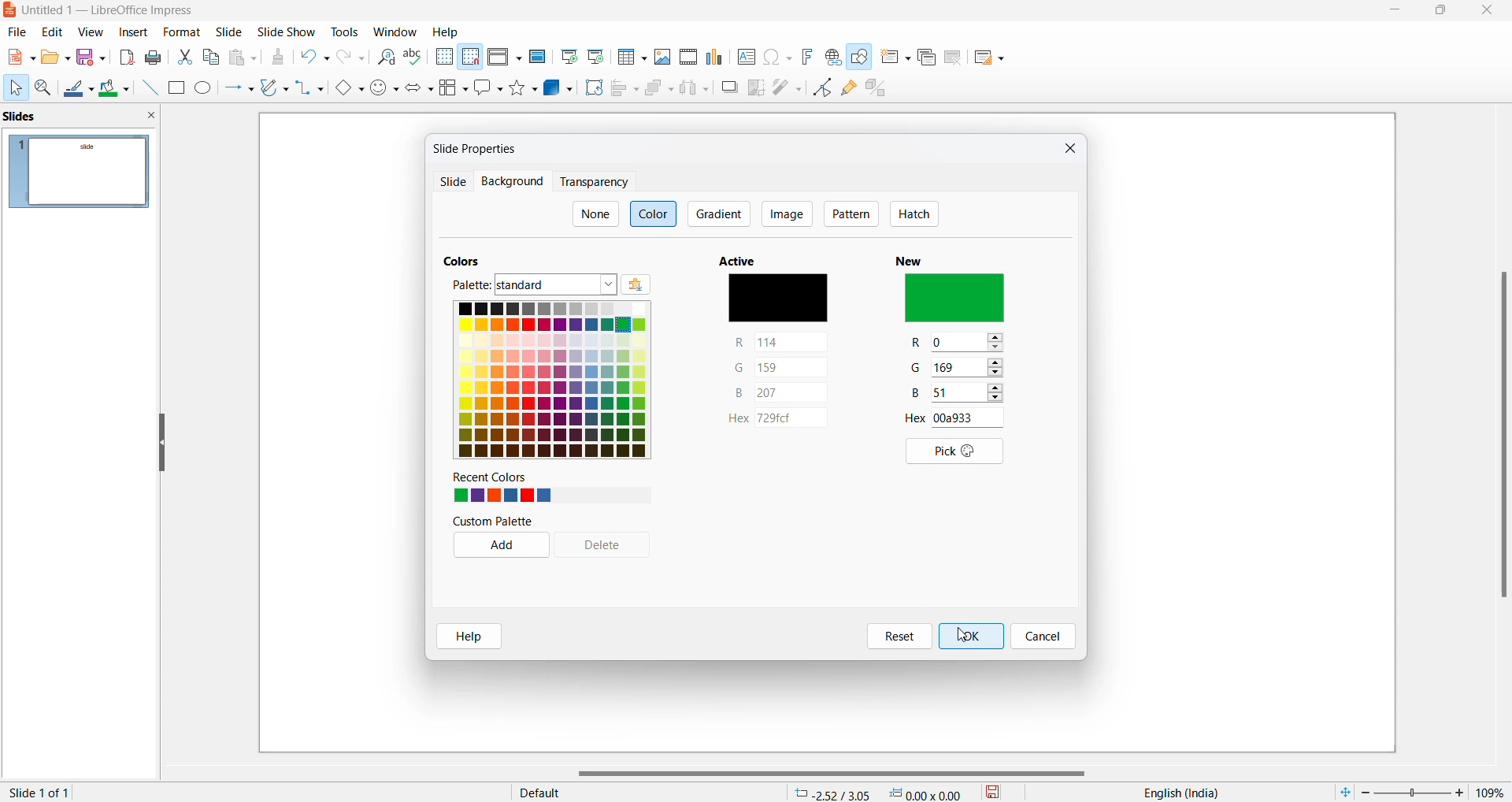  What do you see at coordinates (443, 58) in the screenshot?
I see `display grid` at bounding box center [443, 58].